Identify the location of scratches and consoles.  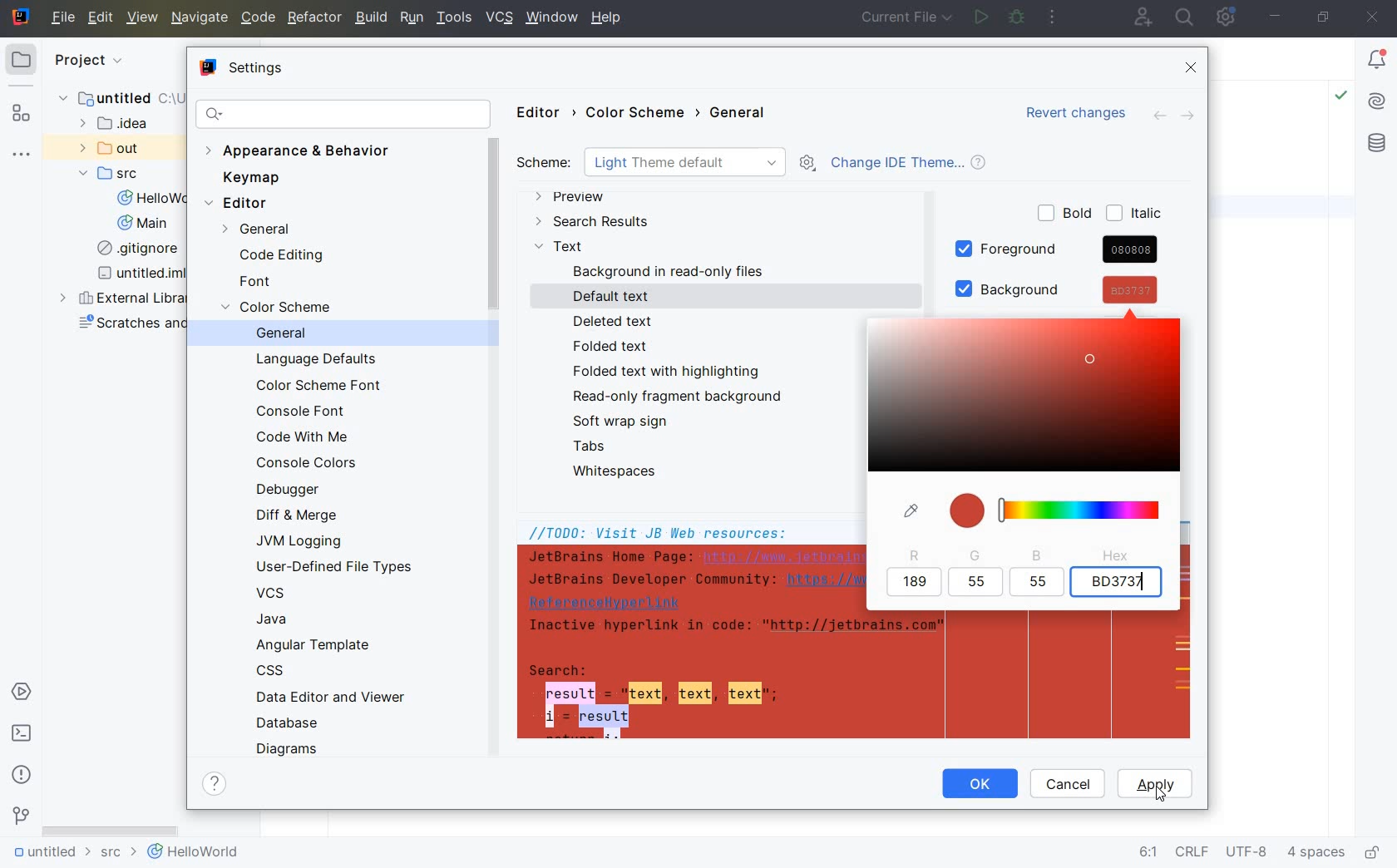
(131, 326).